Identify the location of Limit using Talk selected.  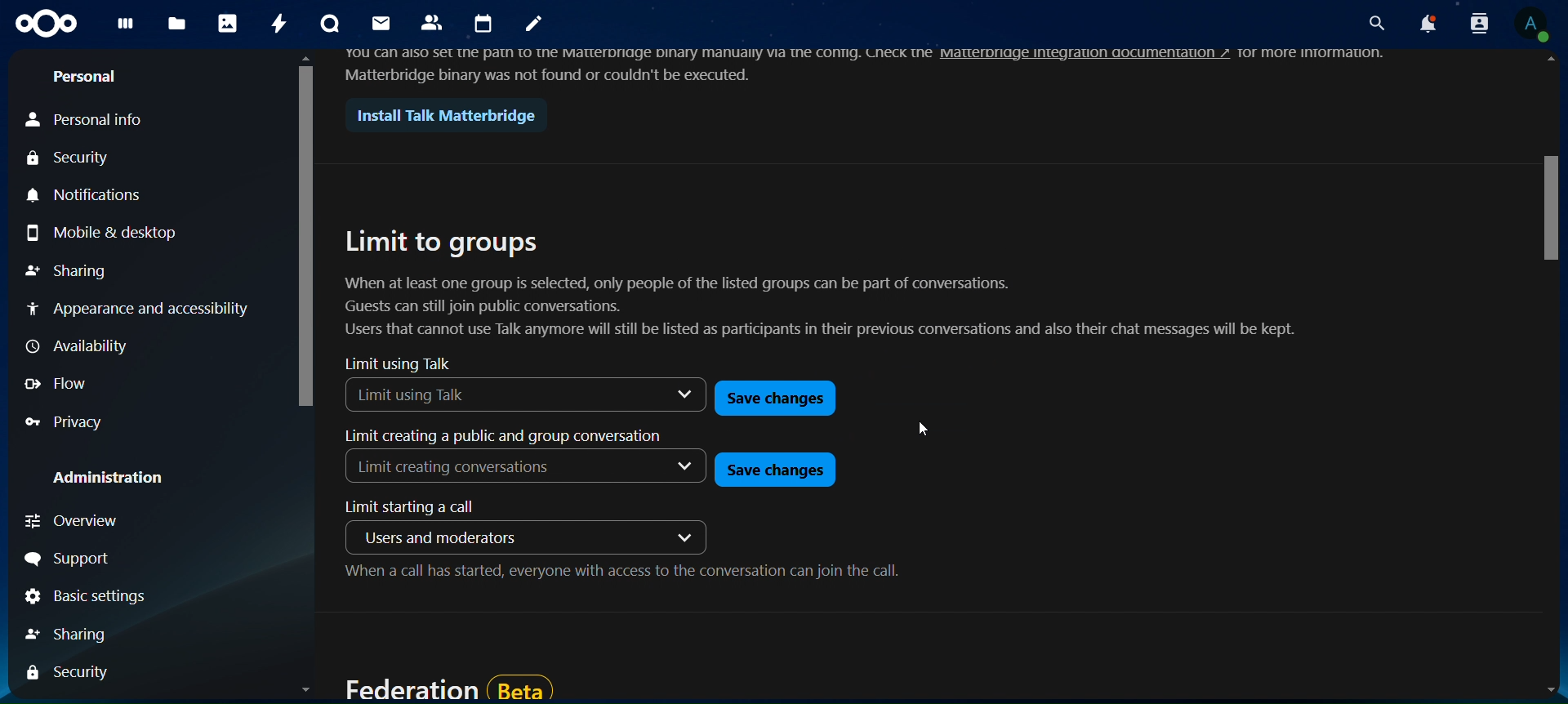
(469, 394).